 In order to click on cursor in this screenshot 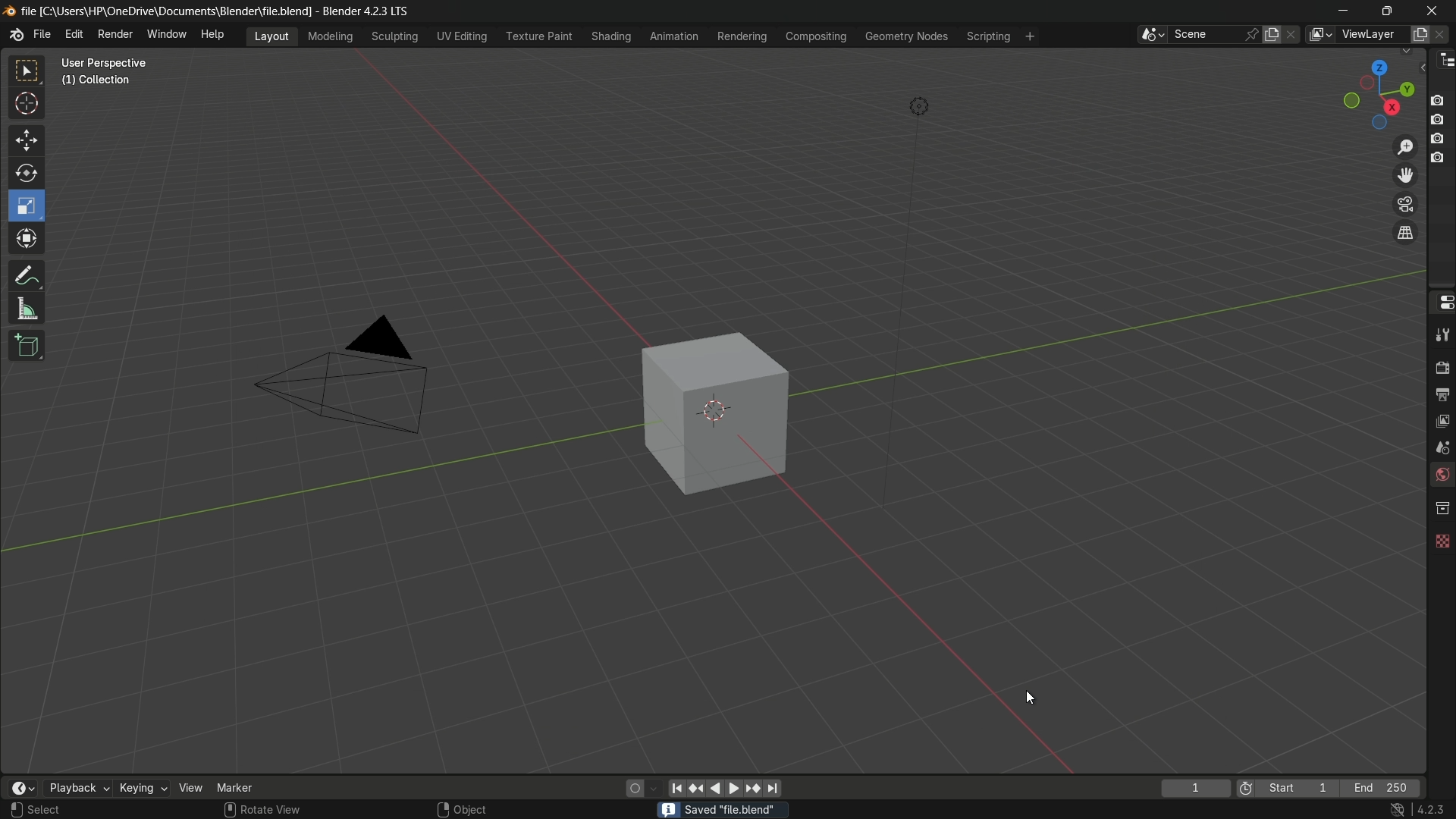, I will do `click(1030, 698)`.